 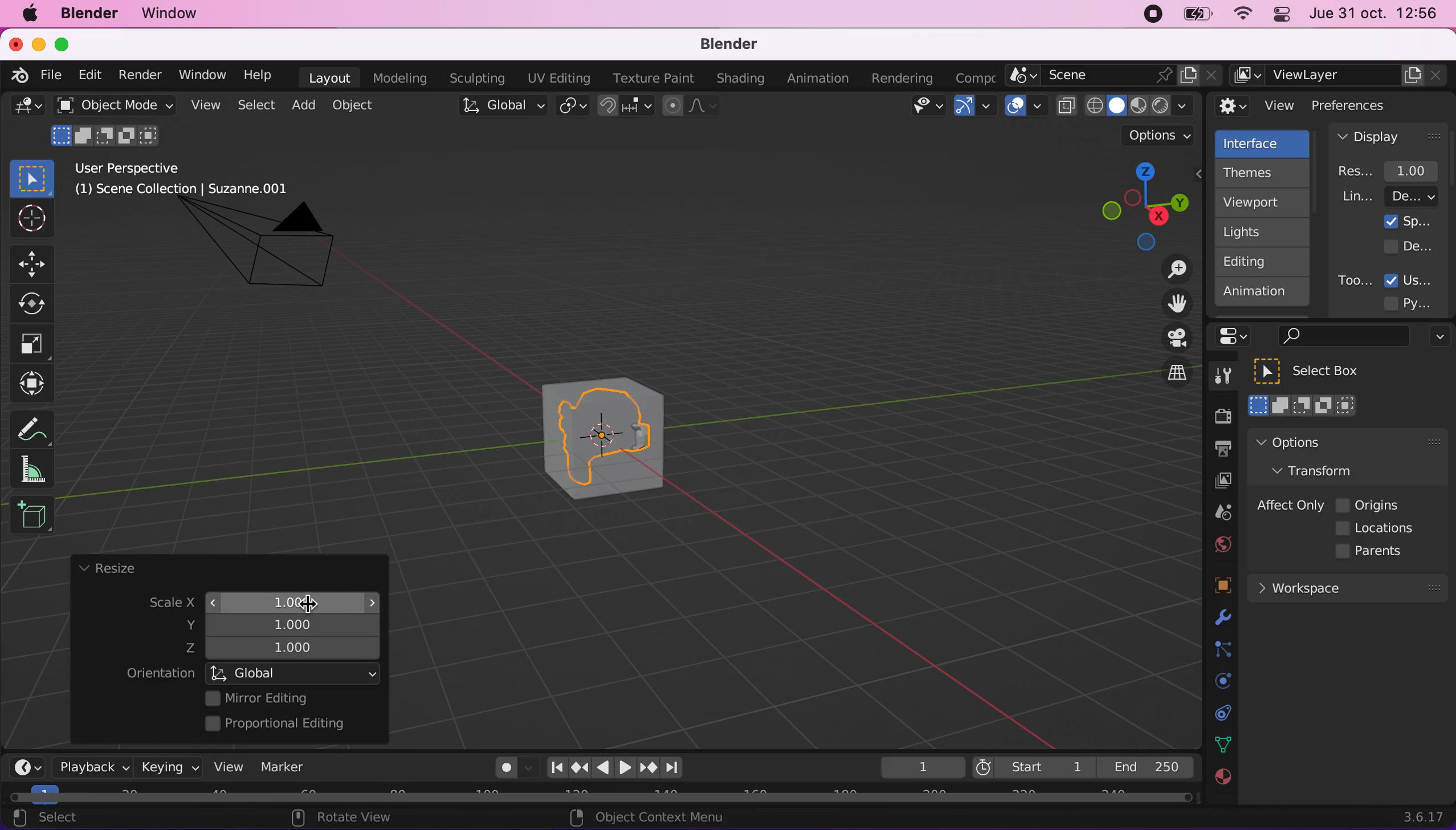 I want to click on click, shortcut, drag, so click(x=1141, y=206).